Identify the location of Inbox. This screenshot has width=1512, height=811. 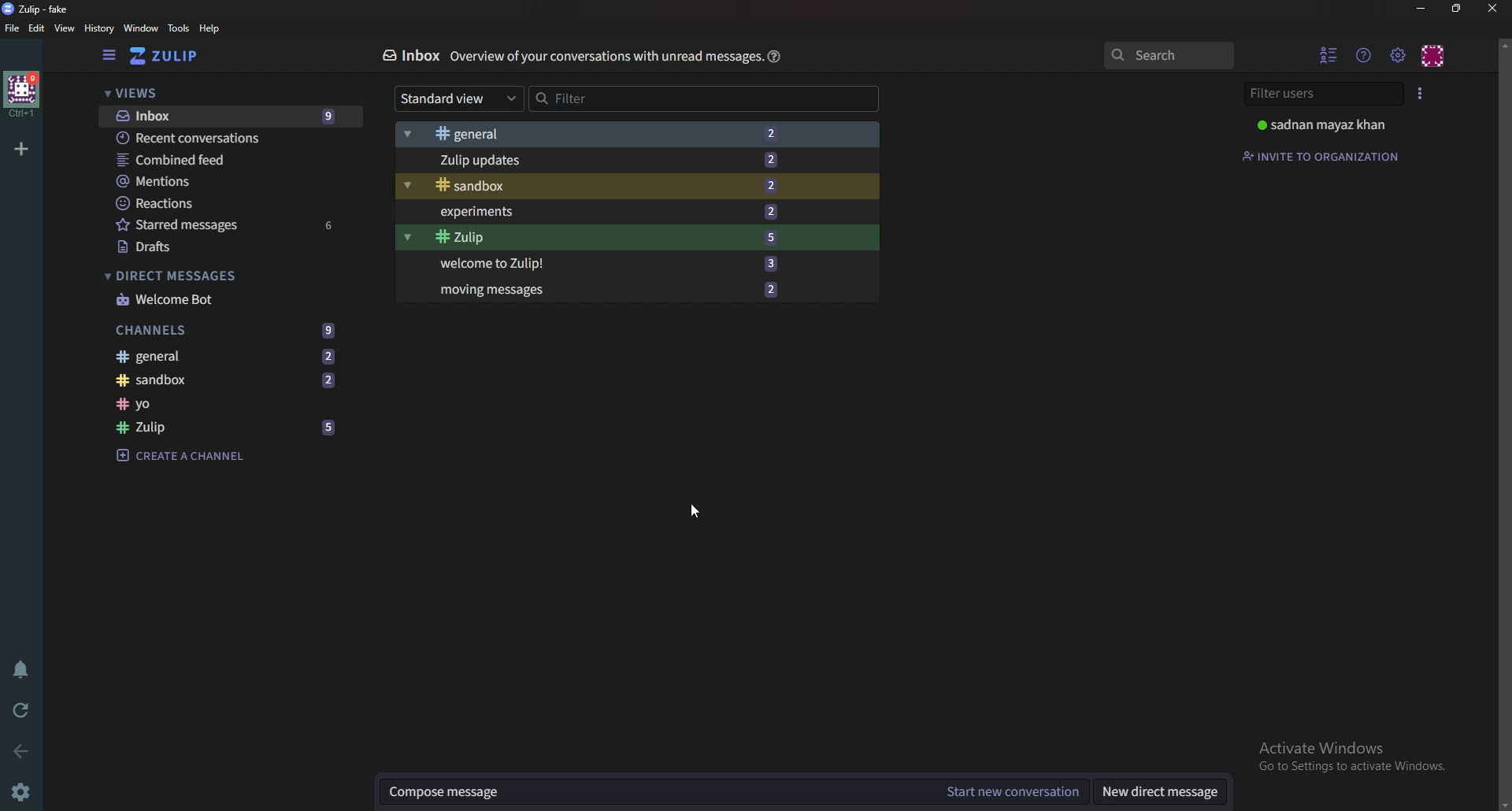
(412, 55).